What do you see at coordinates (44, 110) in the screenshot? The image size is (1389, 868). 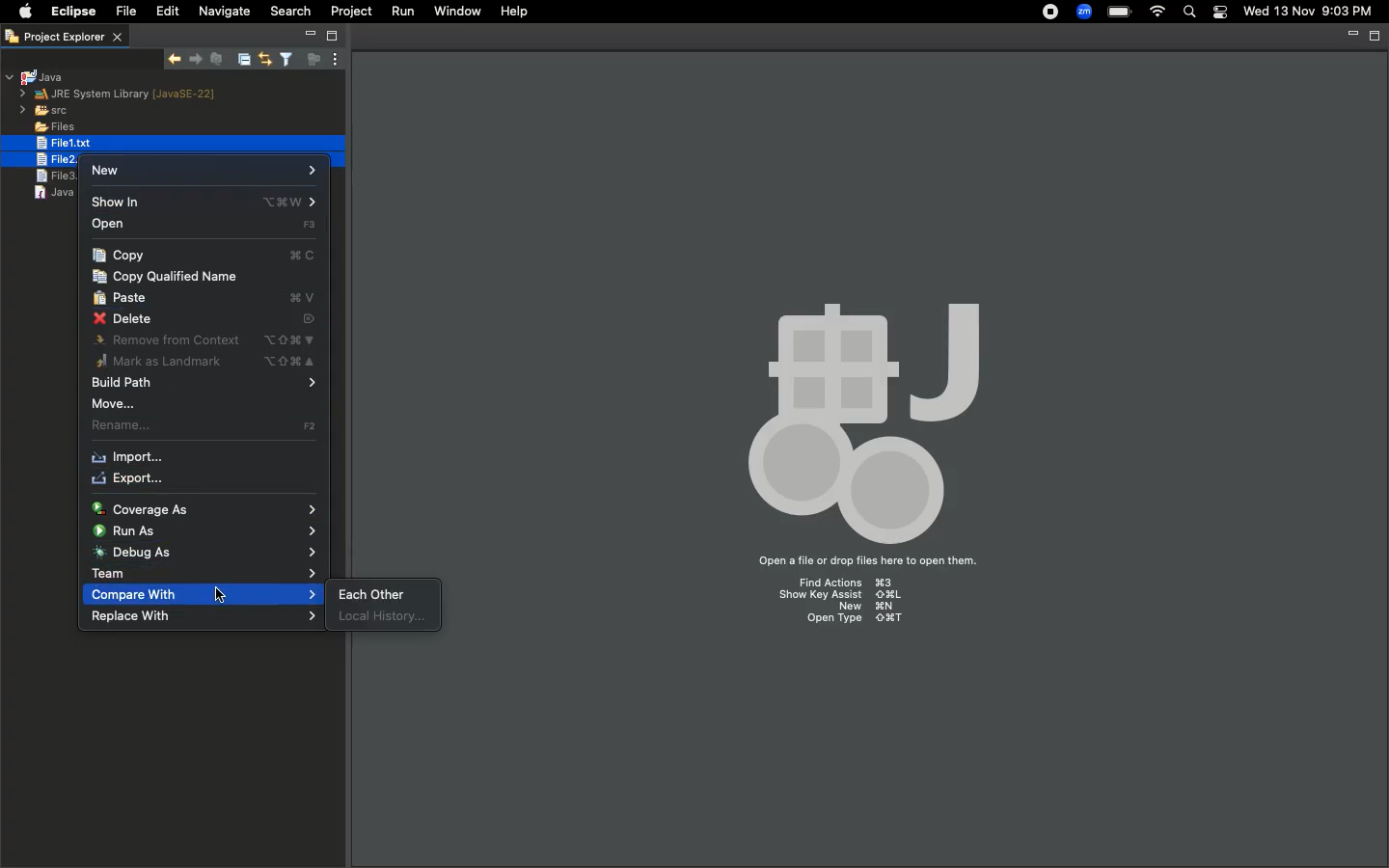 I see `src` at bounding box center [44, 110].